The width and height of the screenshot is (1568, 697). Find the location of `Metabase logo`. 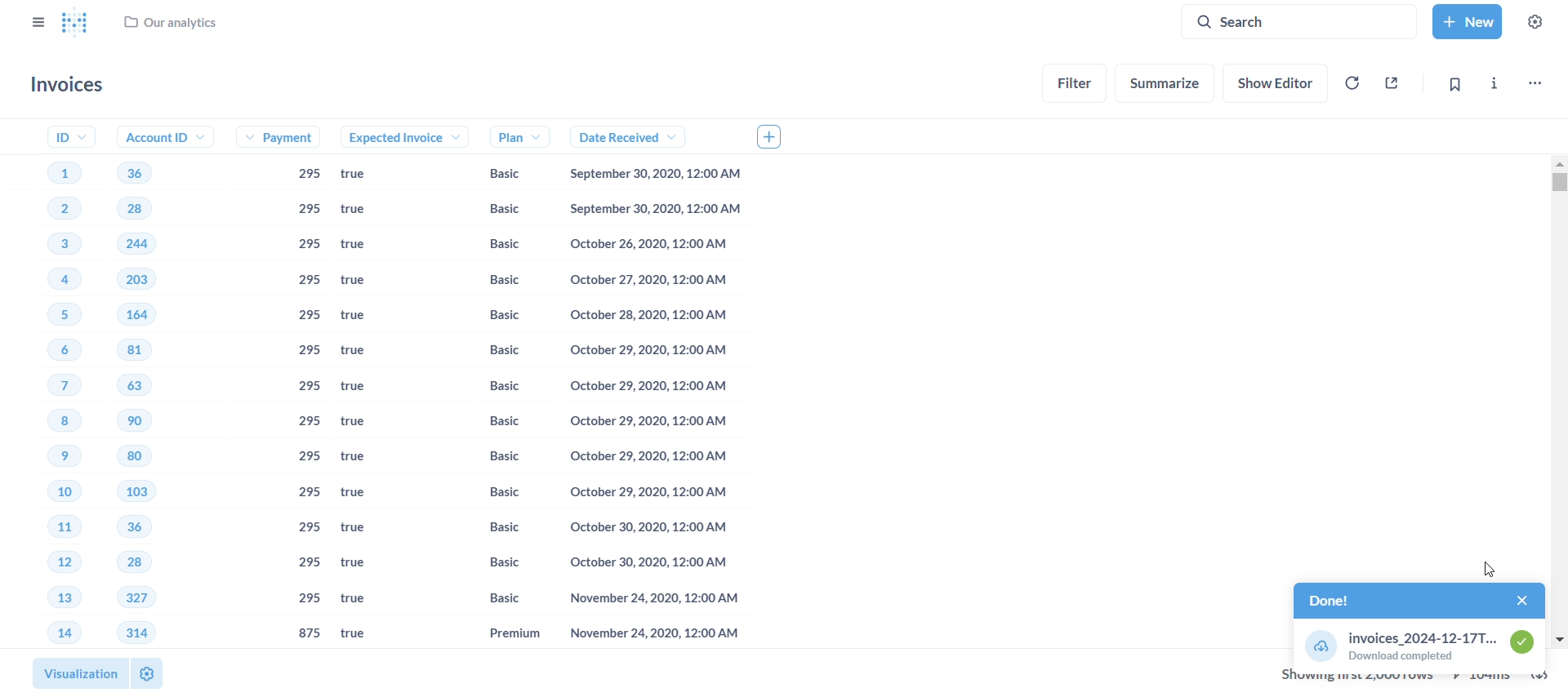

Metabase logo is located at coordinates (74, 24).